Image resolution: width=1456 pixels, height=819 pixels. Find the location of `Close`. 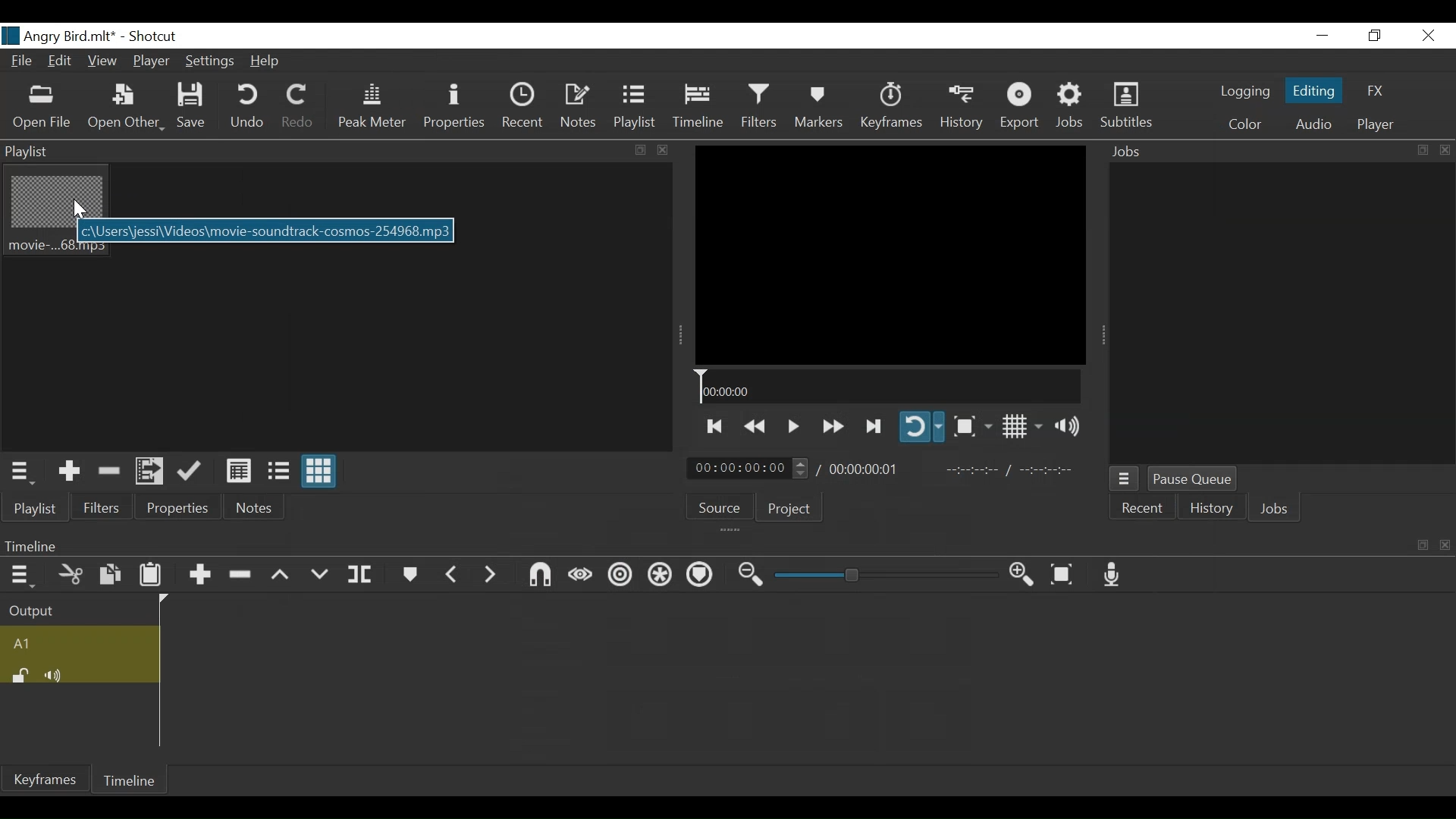

Close is located at coordinates (1429, 36).